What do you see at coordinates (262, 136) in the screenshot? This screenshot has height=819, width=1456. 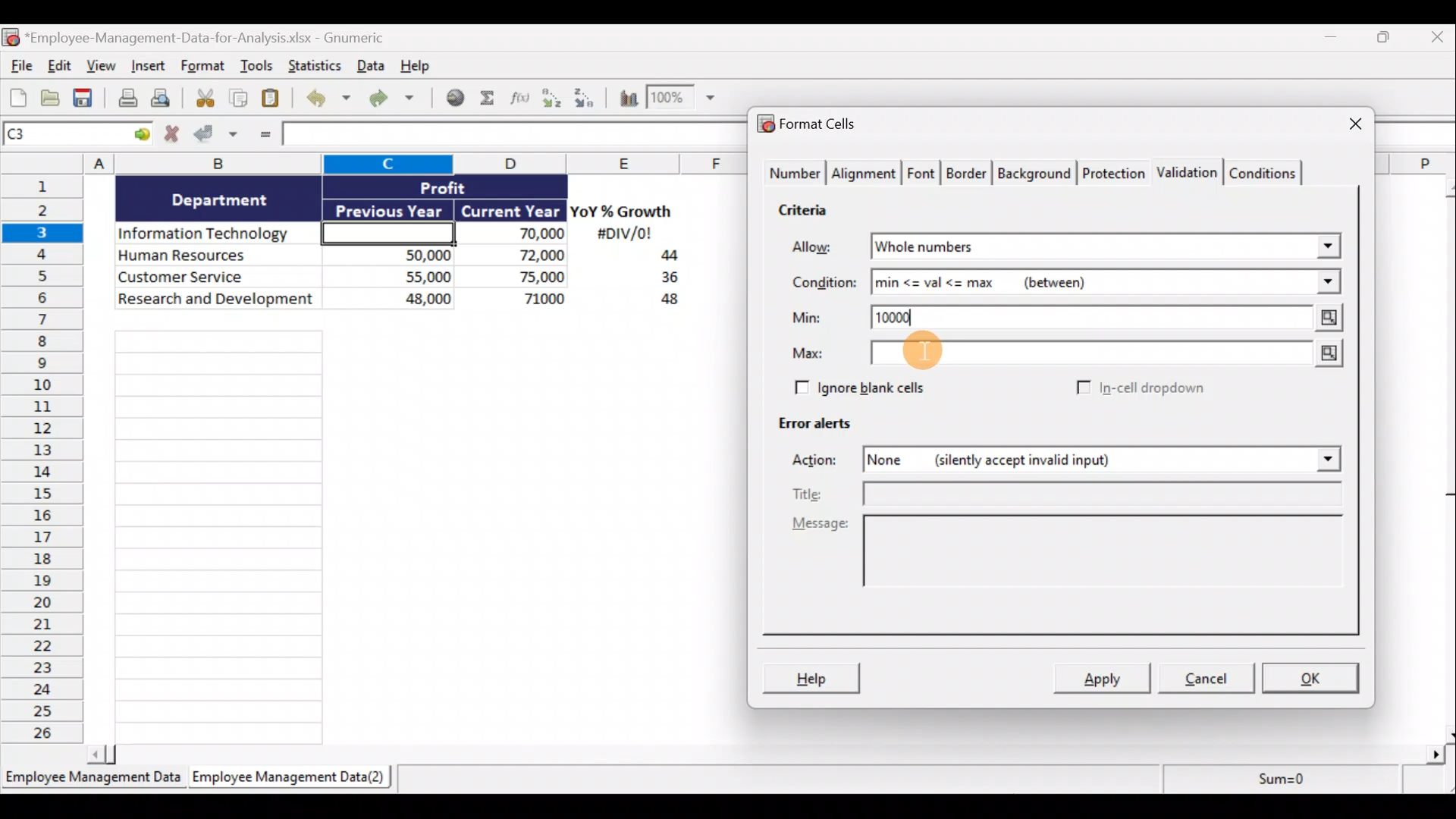 I see `Enter formula` at bounding box center [262, 136].